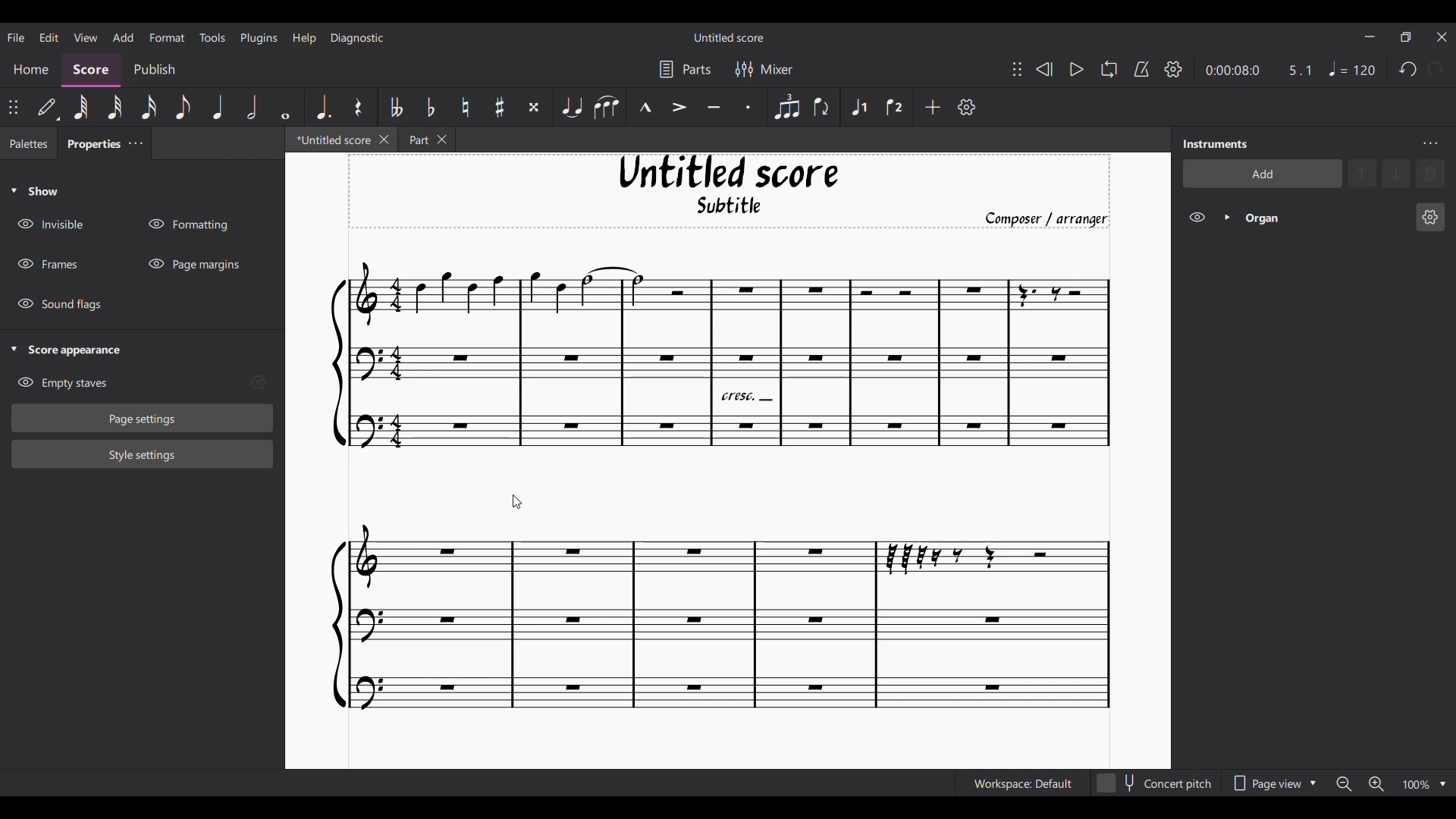 Image resolution: width=1456 pixels, height=819 pixels. What do you see at coordinates (394, 107) in the screenshot?
I see `Toggle double flat` at bounding box center [394, 107].